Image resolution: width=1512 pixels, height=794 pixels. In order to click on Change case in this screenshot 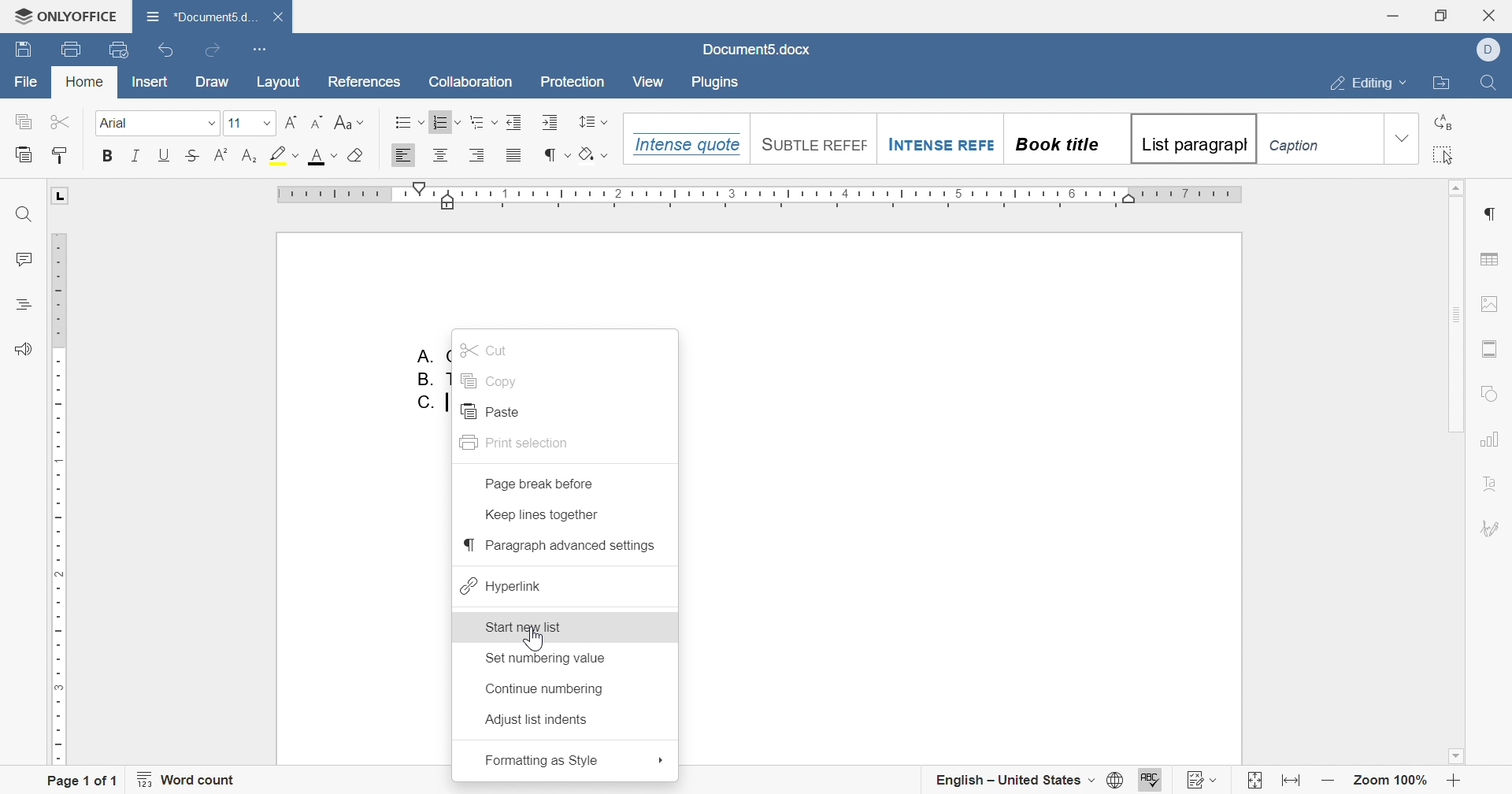, I will do `click(350, 122)`.